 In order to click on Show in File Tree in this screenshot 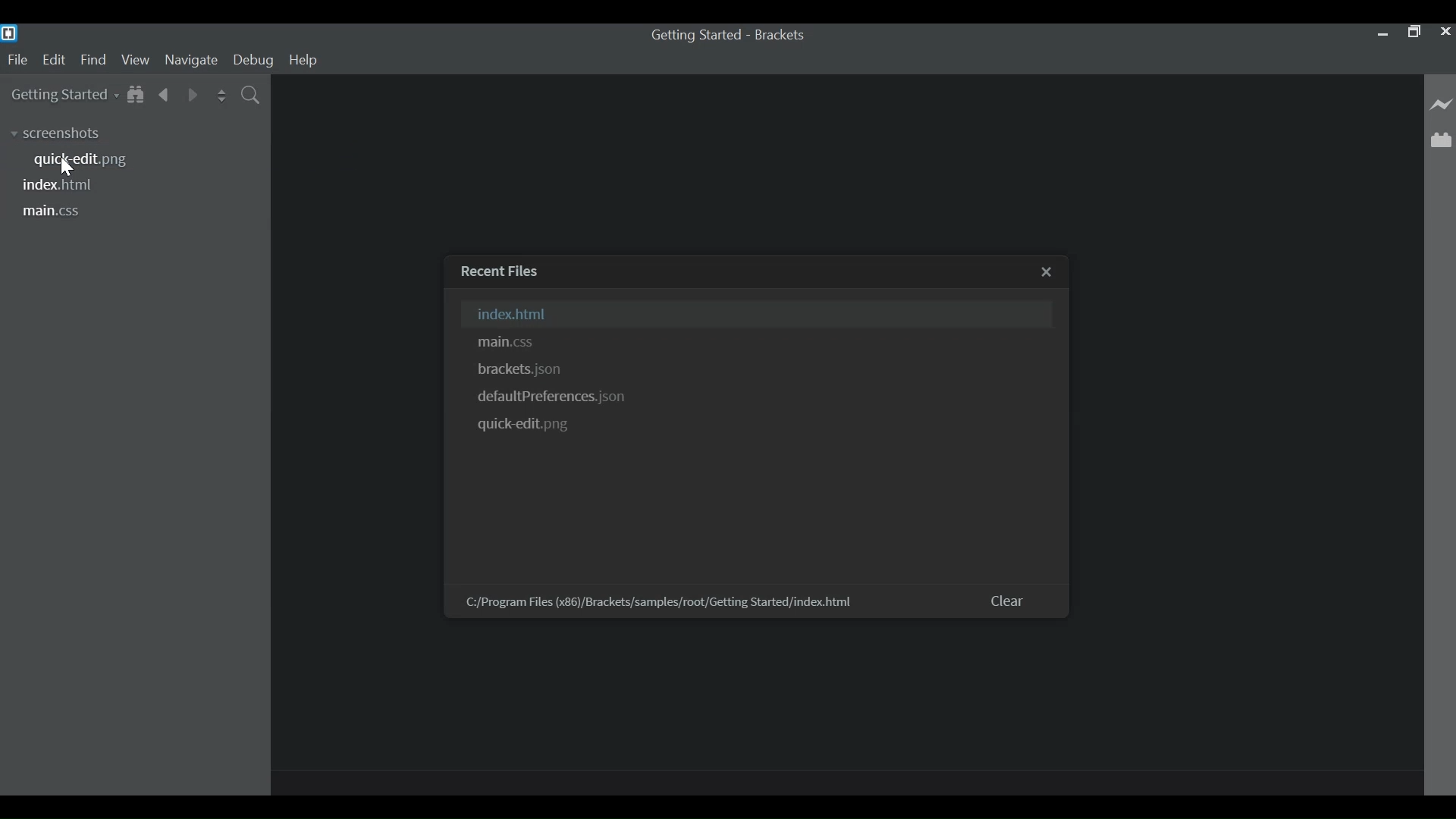, I will do `click(139, 94)`.